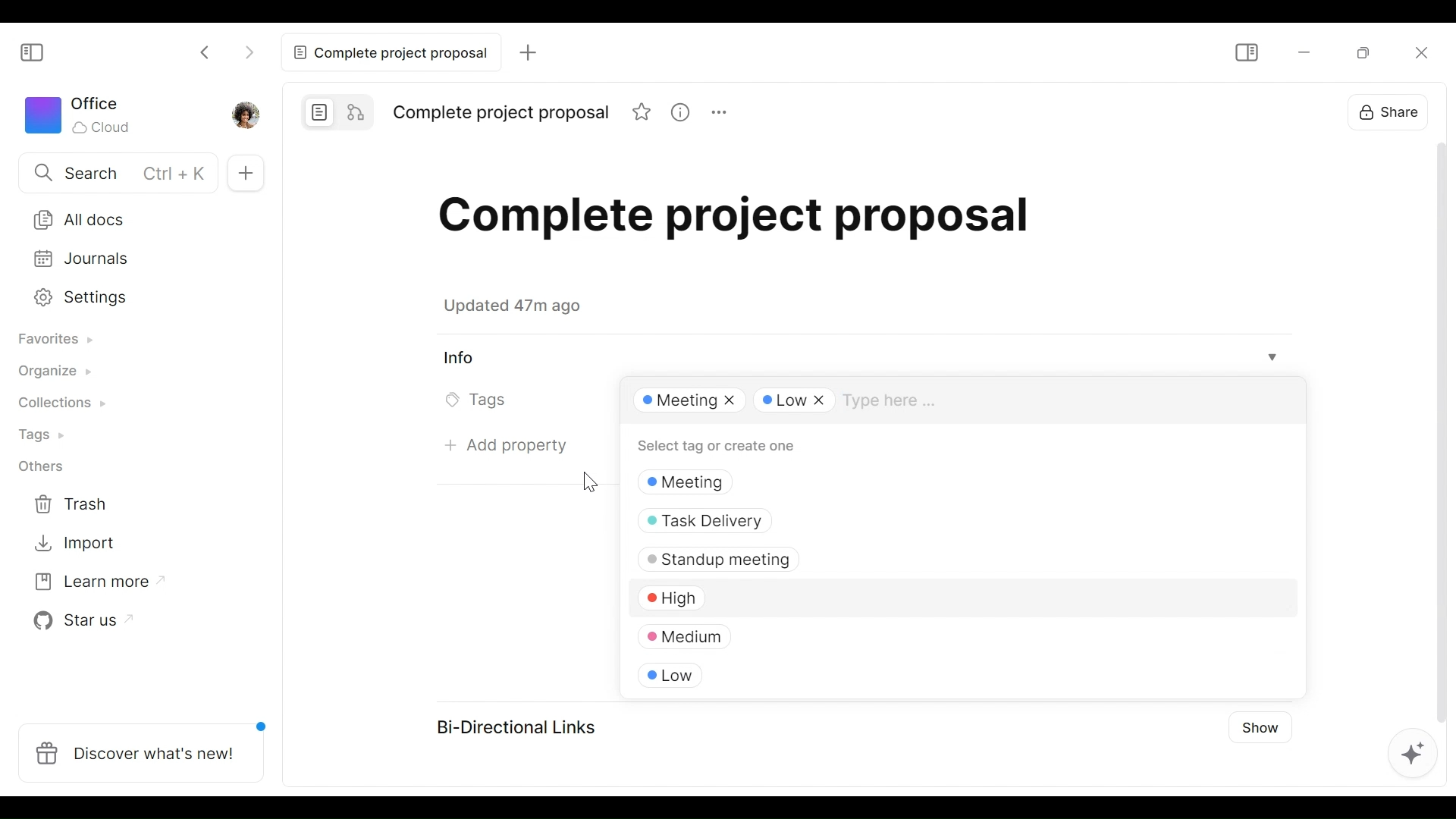  I want to click on Collections, so click(64, 405).